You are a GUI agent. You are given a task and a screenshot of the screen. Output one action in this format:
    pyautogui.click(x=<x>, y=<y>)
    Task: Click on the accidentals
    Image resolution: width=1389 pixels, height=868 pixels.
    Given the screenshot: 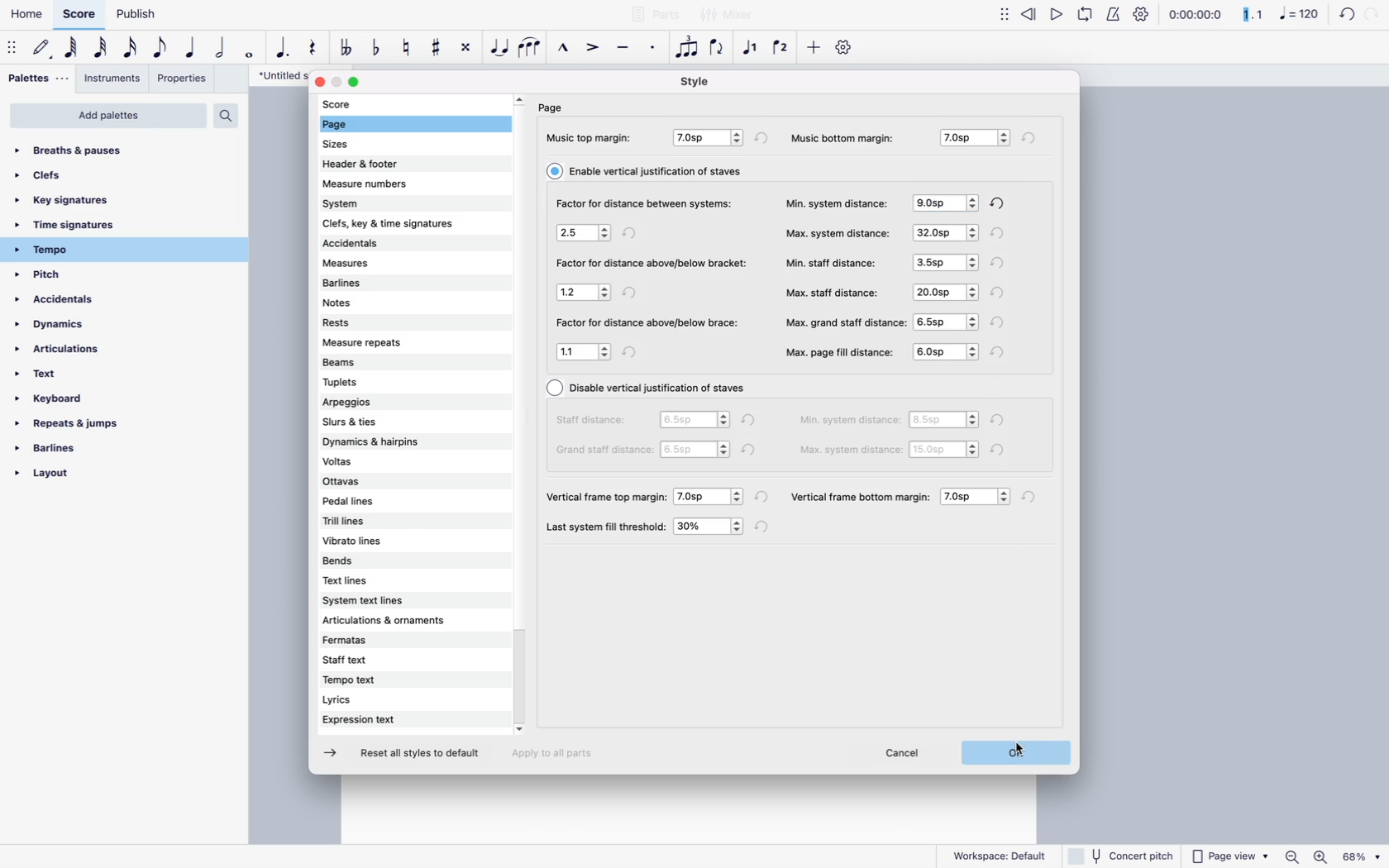 What is the action you would take?
    pyautogui.click(x=387, y=245)
    